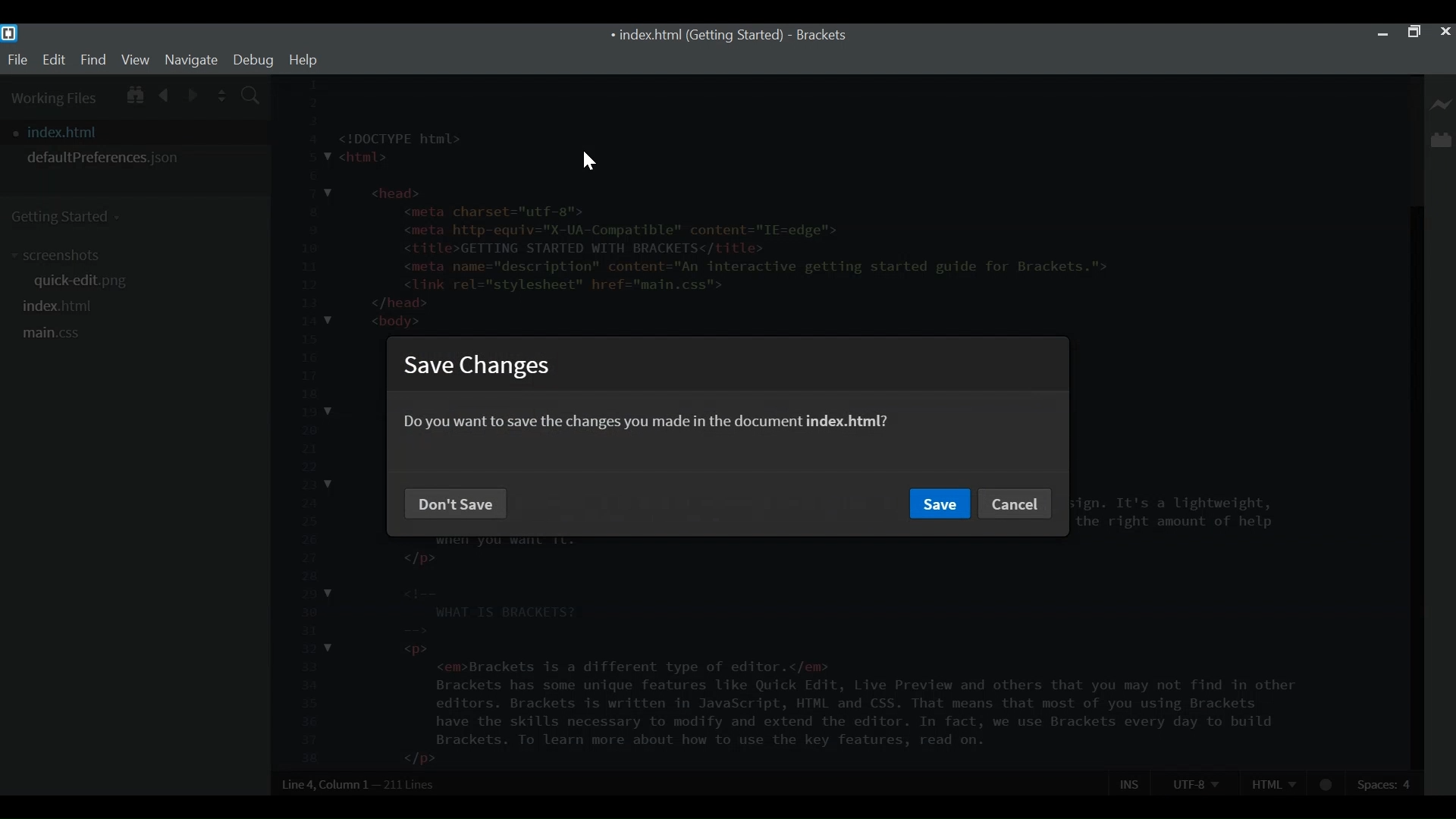 The width and height of the screenshot is (1456, 819). Describe the element at coordinates (1131, 783) in the screenshot. I see `Ins` at that location.